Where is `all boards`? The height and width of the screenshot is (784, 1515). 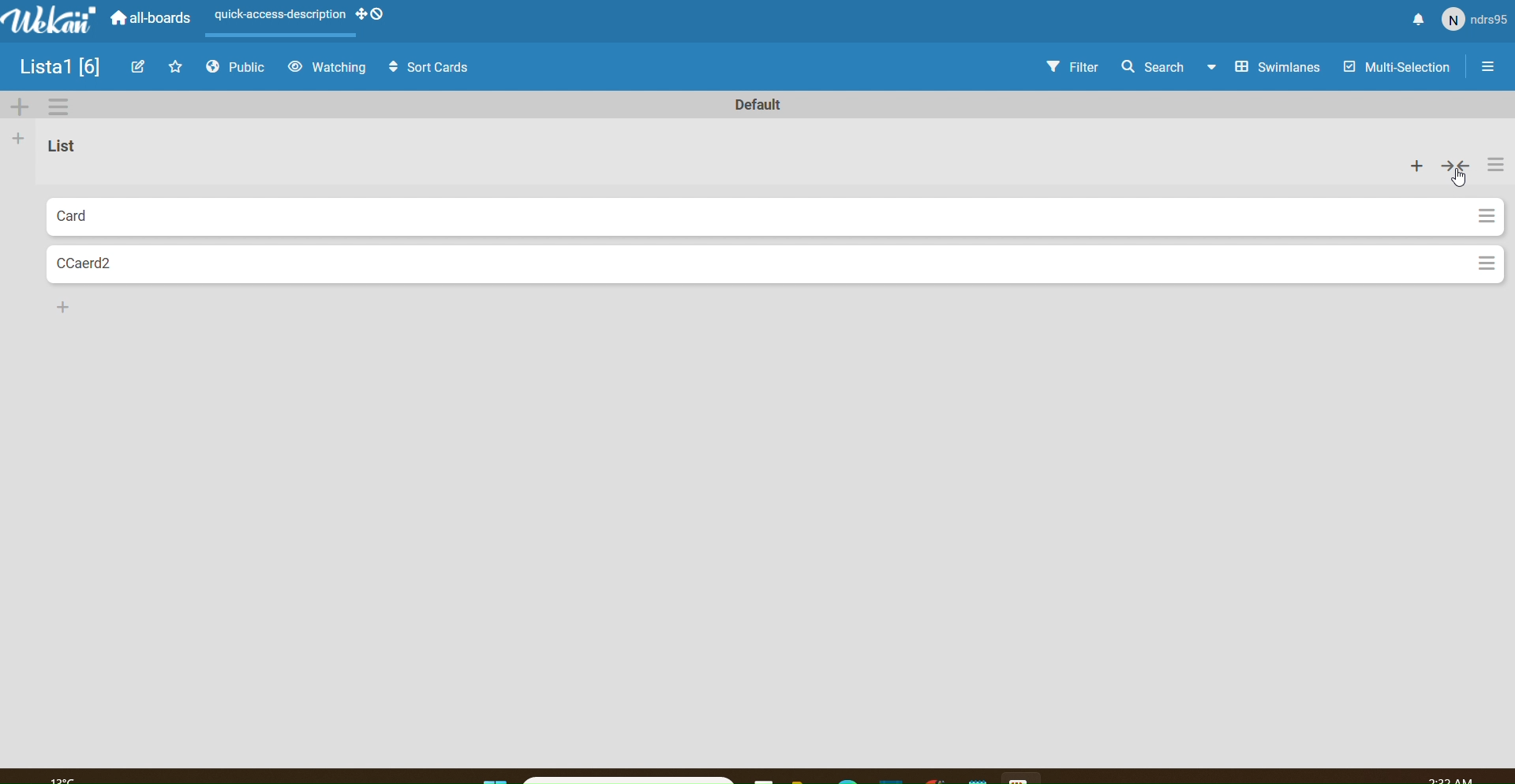
all boards is located at coordinates (148, 19).